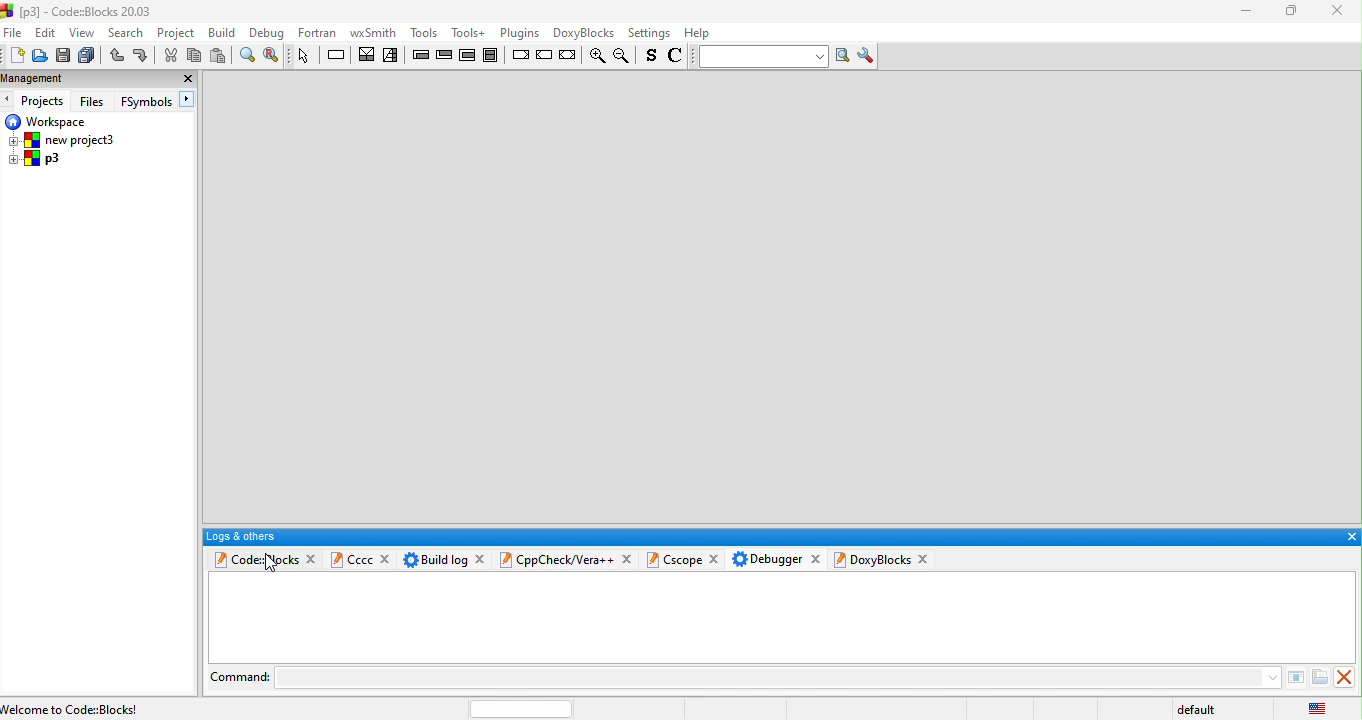 The height and width of the screenshot is (720, 1362). What do you see at coordinates (241, 676) in the screenshot?
I see `command` at bounding box center [241, 676].